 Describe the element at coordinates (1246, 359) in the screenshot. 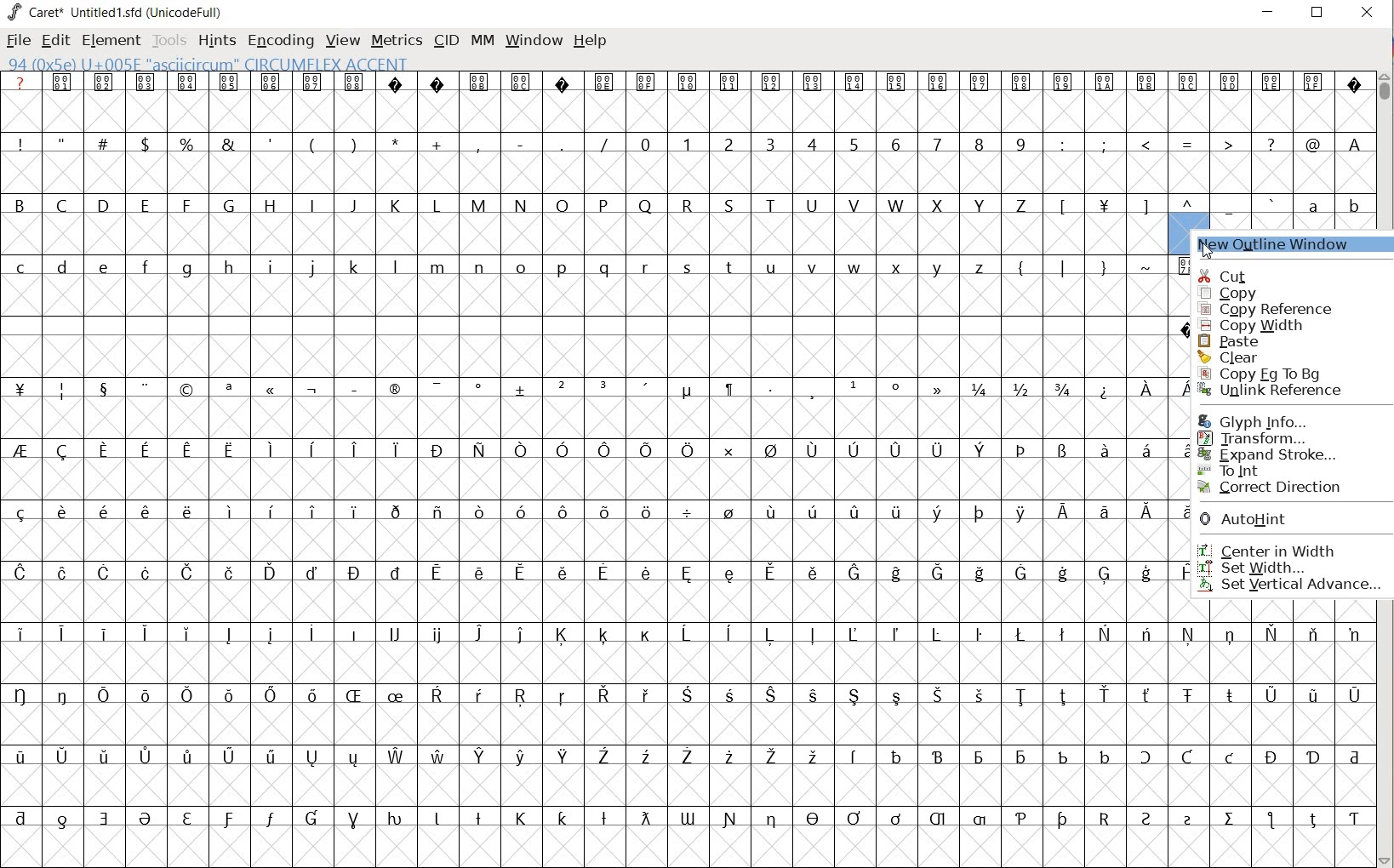

I see `clear` at that location.